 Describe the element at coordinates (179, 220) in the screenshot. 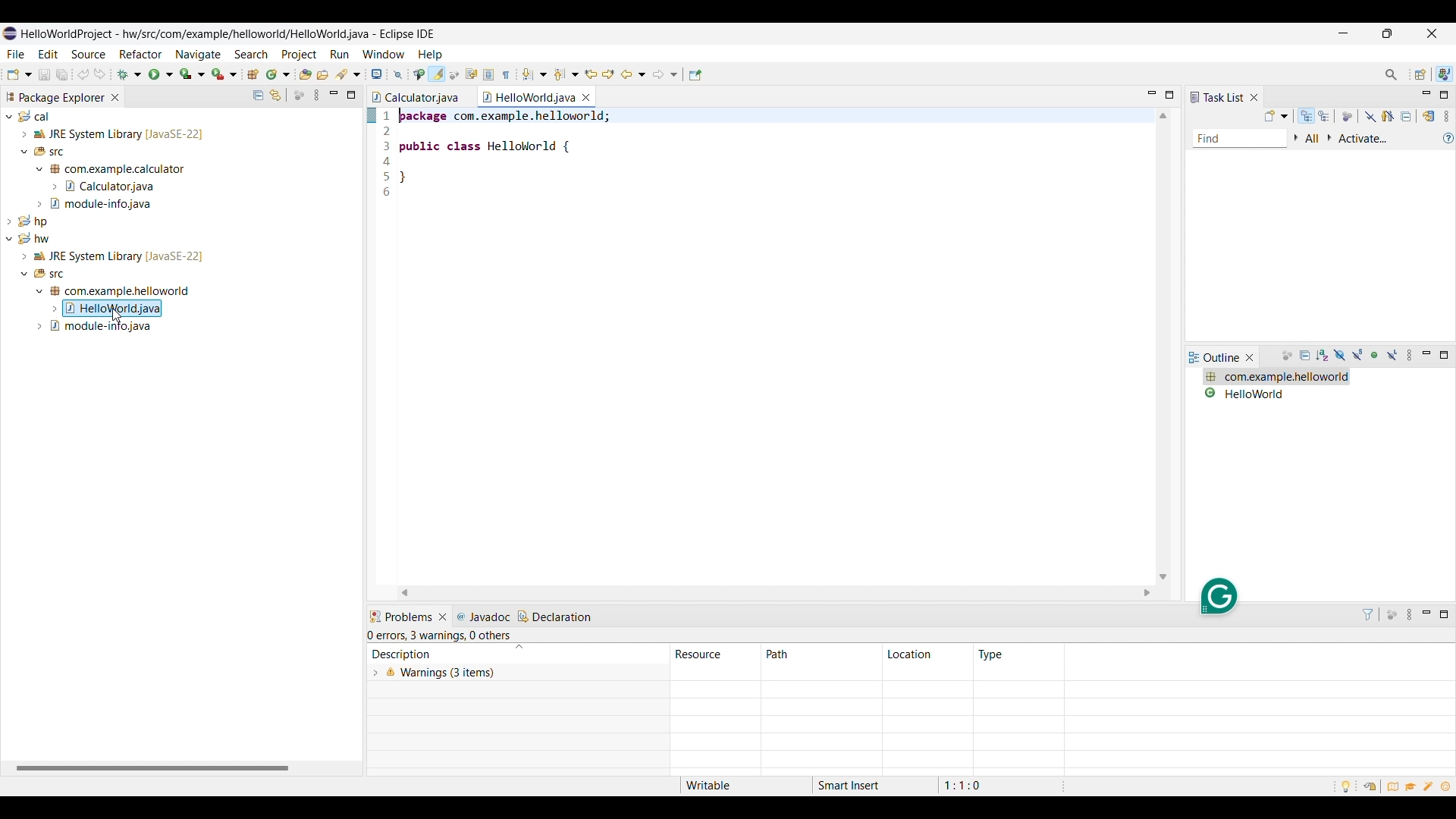

I see `hp project` at that location.